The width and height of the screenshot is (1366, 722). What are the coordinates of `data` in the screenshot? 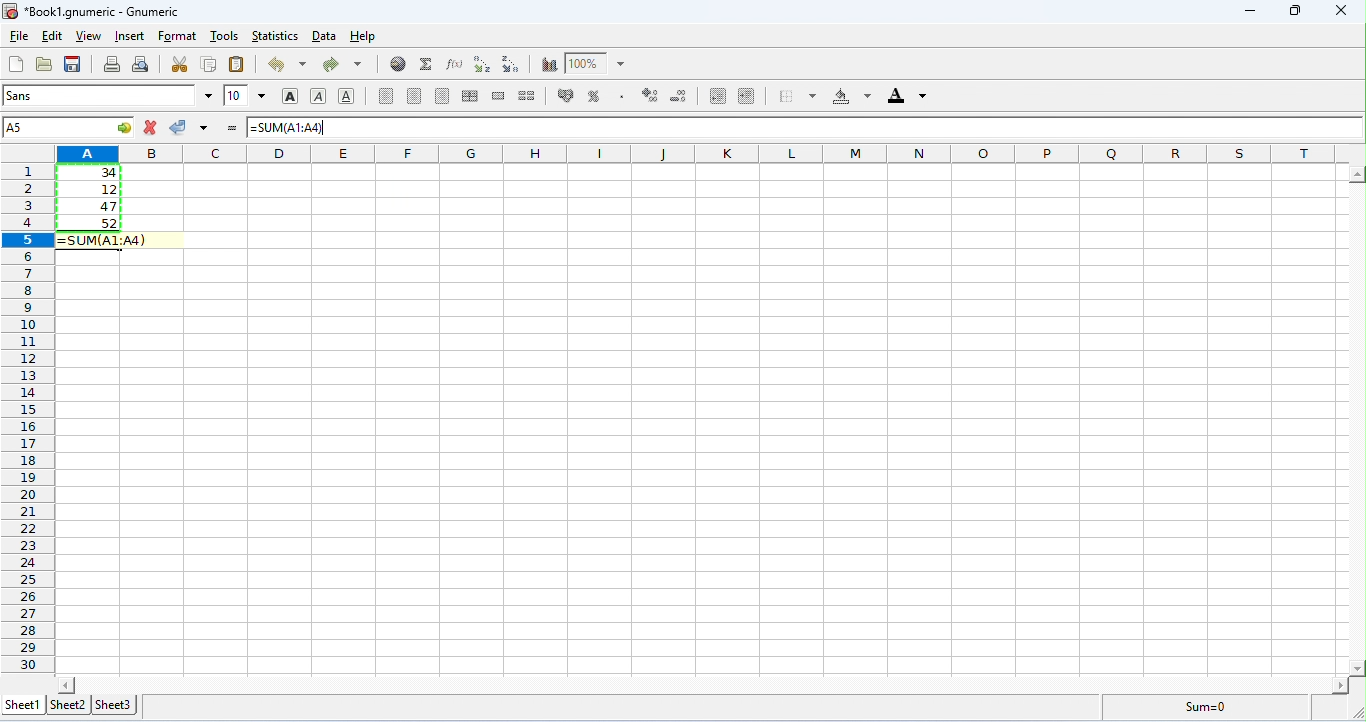 It's located at (326, 36).